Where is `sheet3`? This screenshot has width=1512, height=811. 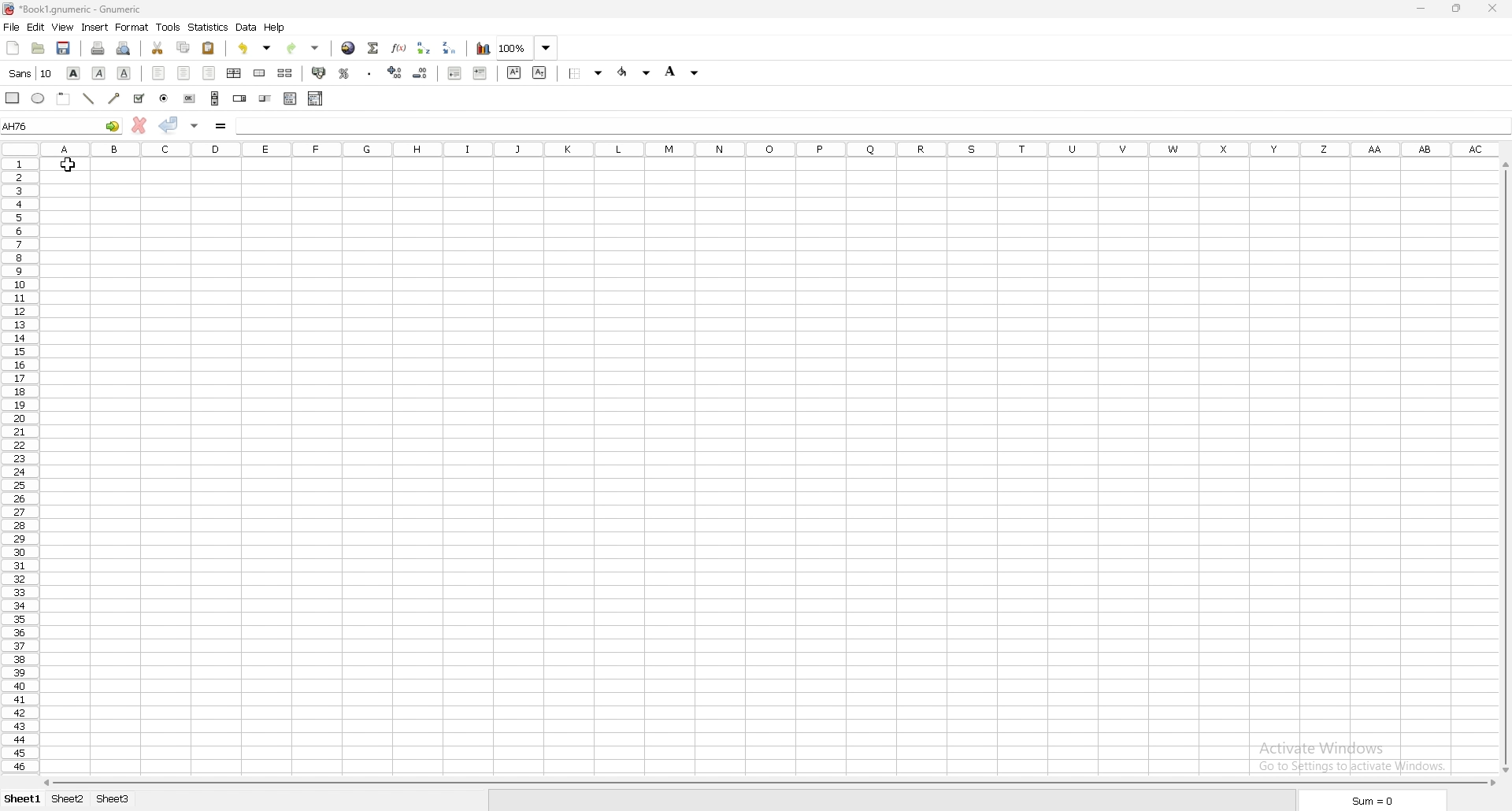 sheet3 is located at coordinates (115, 800).